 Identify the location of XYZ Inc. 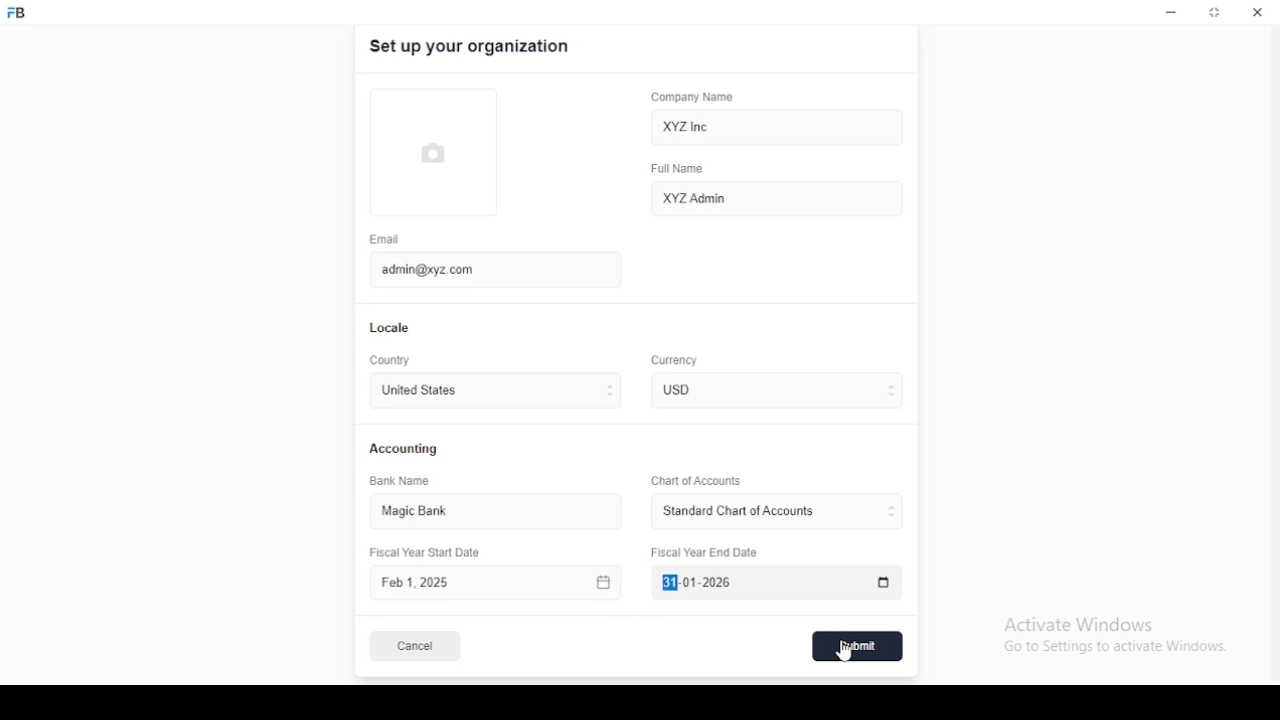
(779, 128).